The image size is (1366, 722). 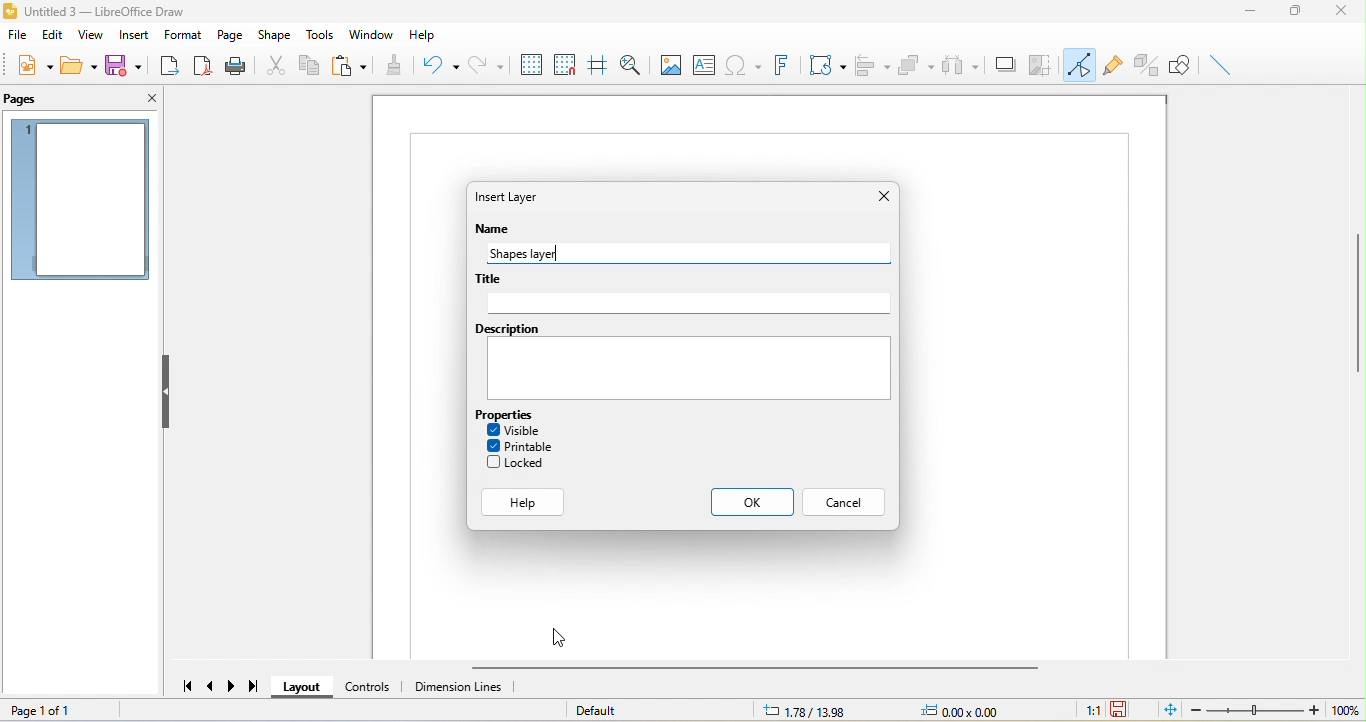 I want to click on zoom, so click(x=1276, y=711).